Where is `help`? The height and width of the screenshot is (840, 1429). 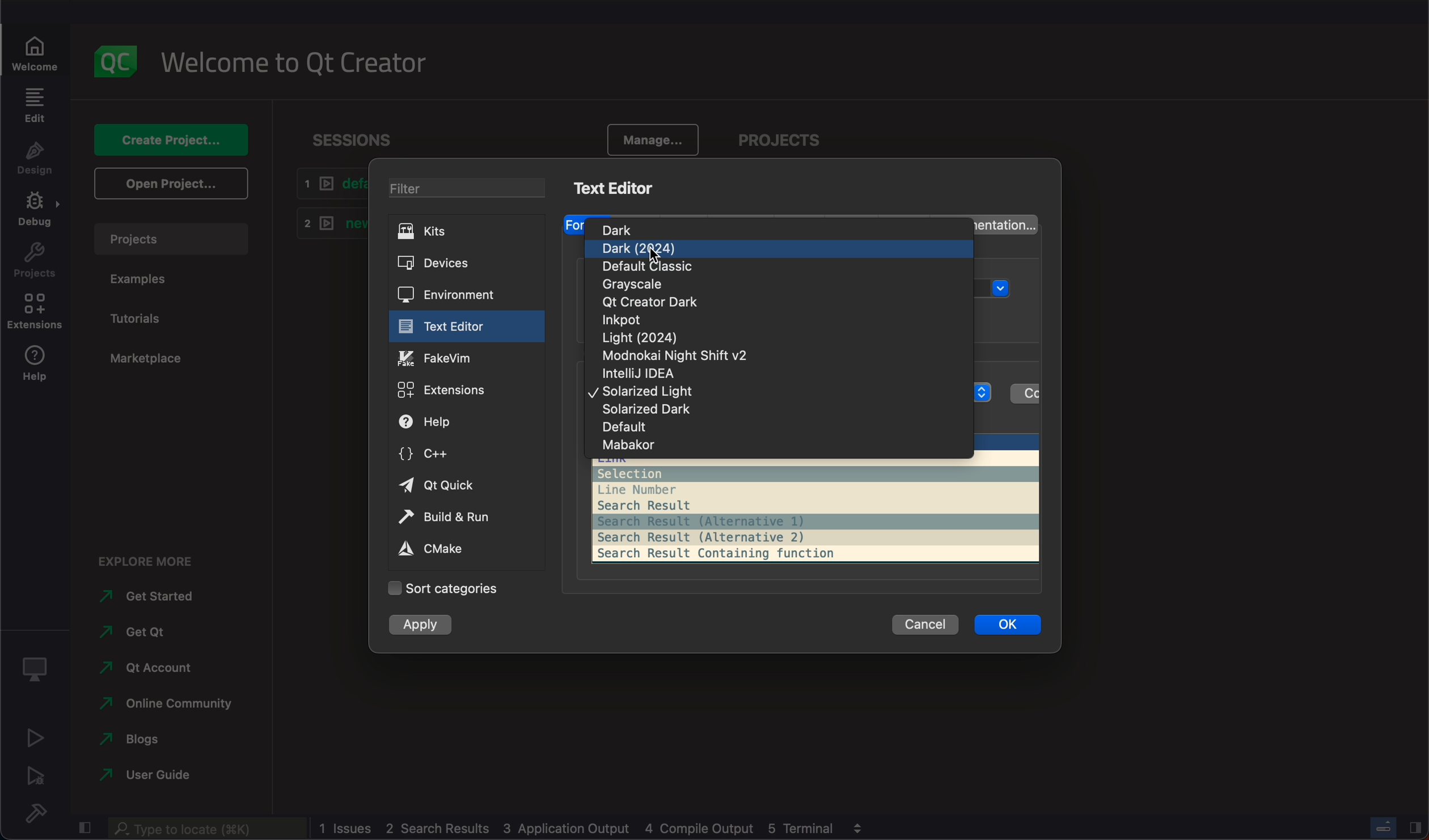
help is located at coordinates (39, 369).